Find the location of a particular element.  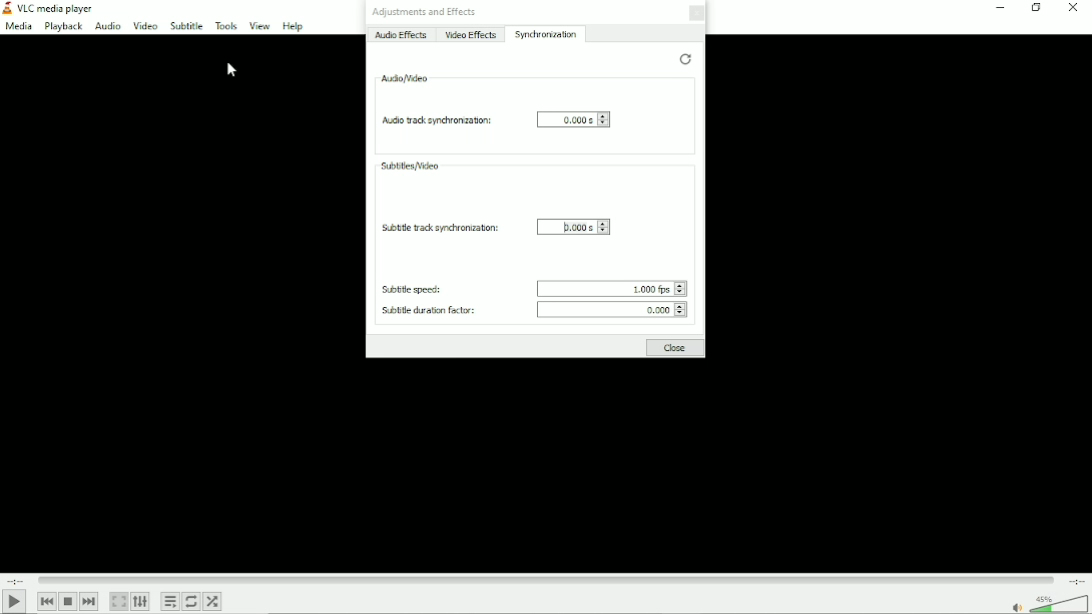

Tools is located at coordinates (226, 25).